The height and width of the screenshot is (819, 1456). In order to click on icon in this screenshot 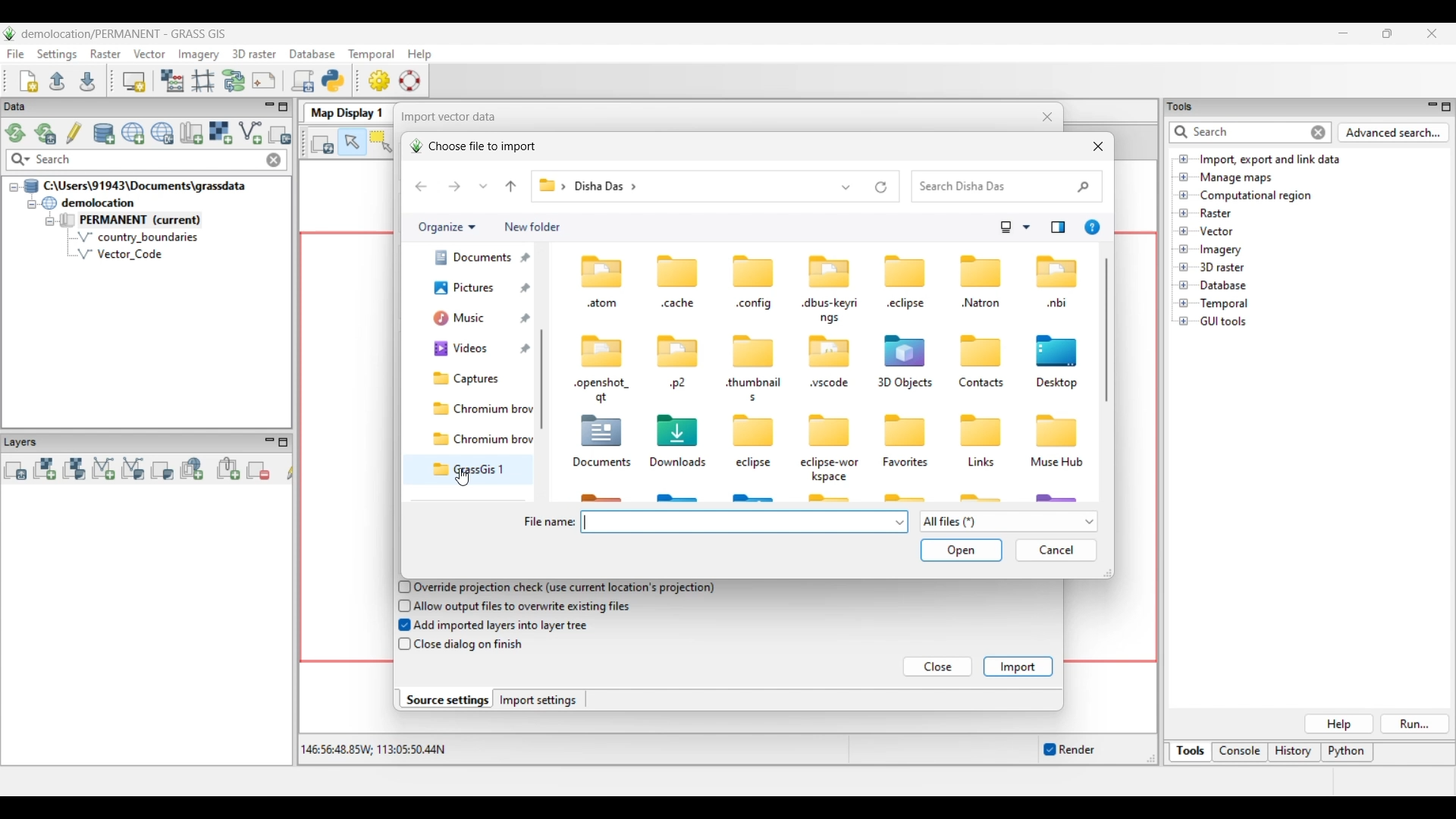, I will do `click(603, 431)`.